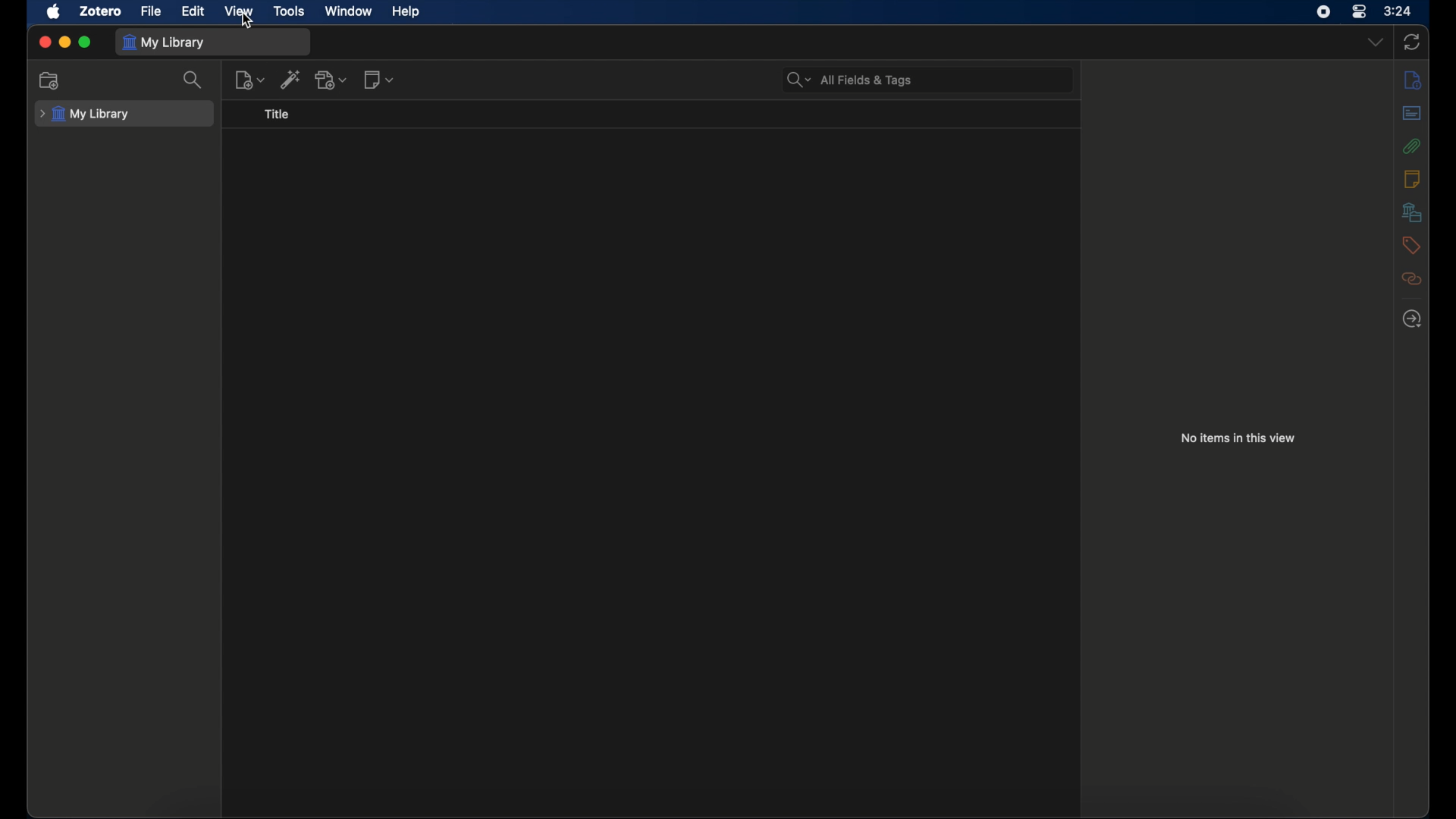  I want to click on notes, so click(1411, 177).